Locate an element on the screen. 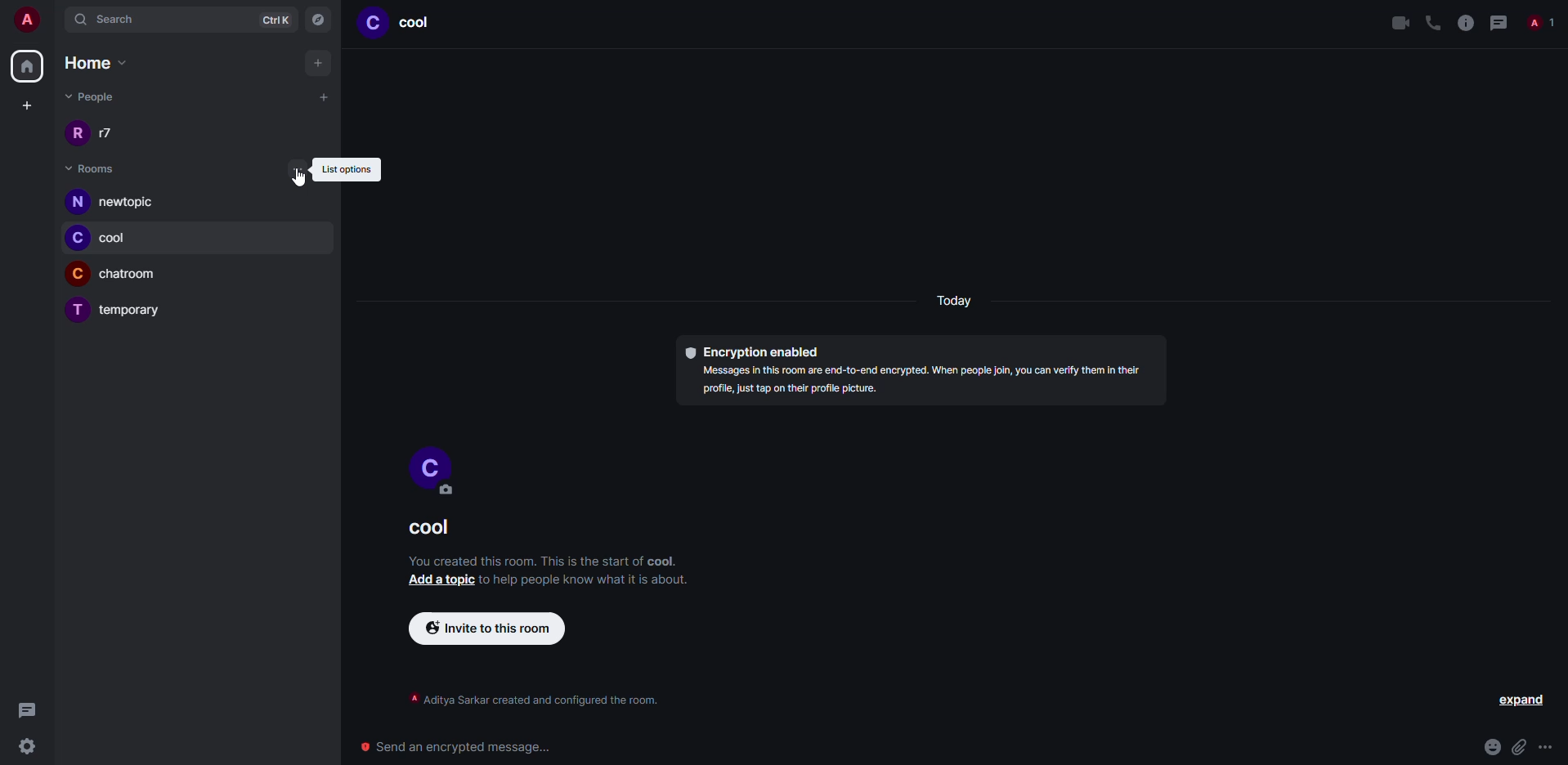 This screenshot has height=765, width=1568. expand is located at coordinates (1525, 698).